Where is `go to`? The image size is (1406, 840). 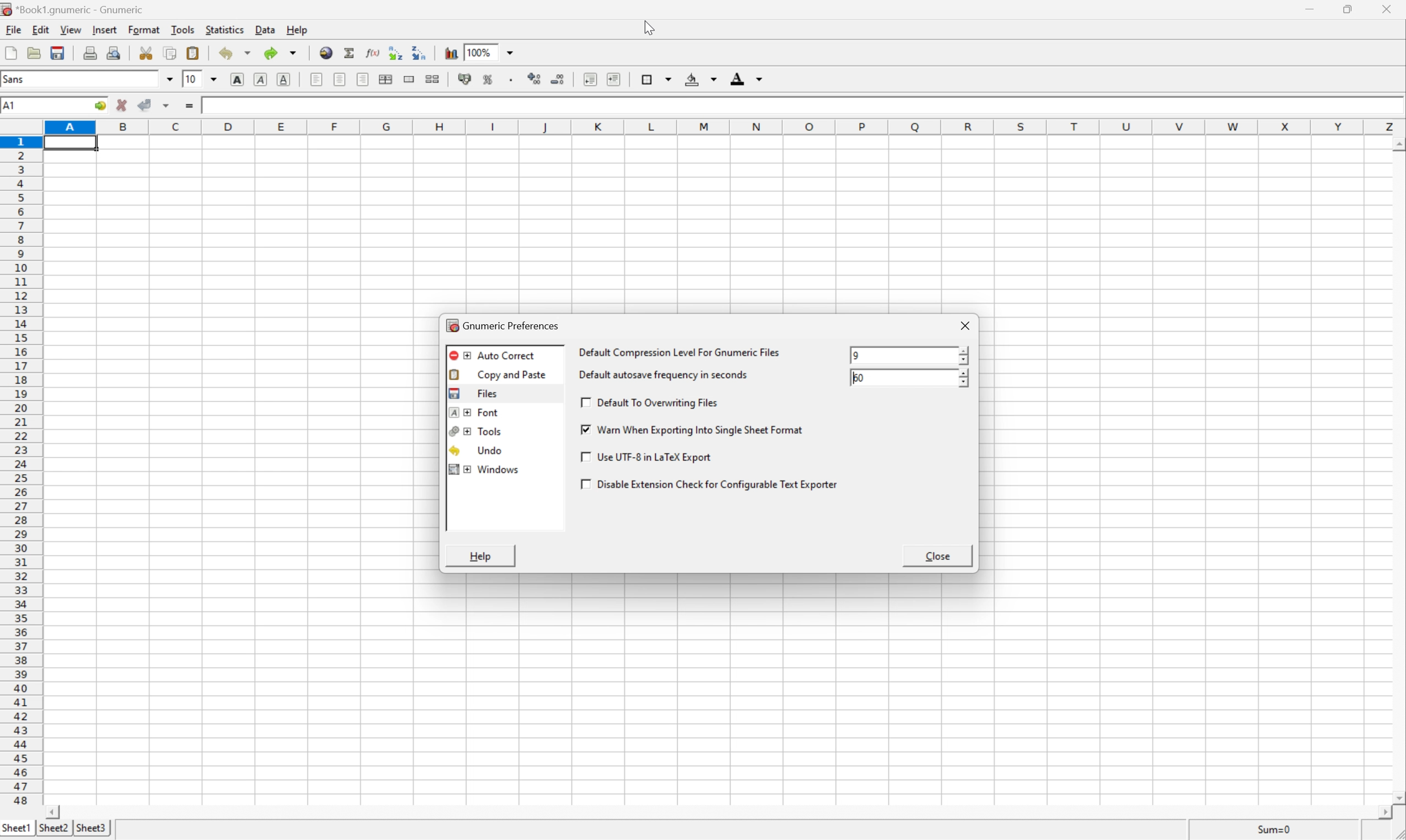 go to is located at coordinates (100, 106).